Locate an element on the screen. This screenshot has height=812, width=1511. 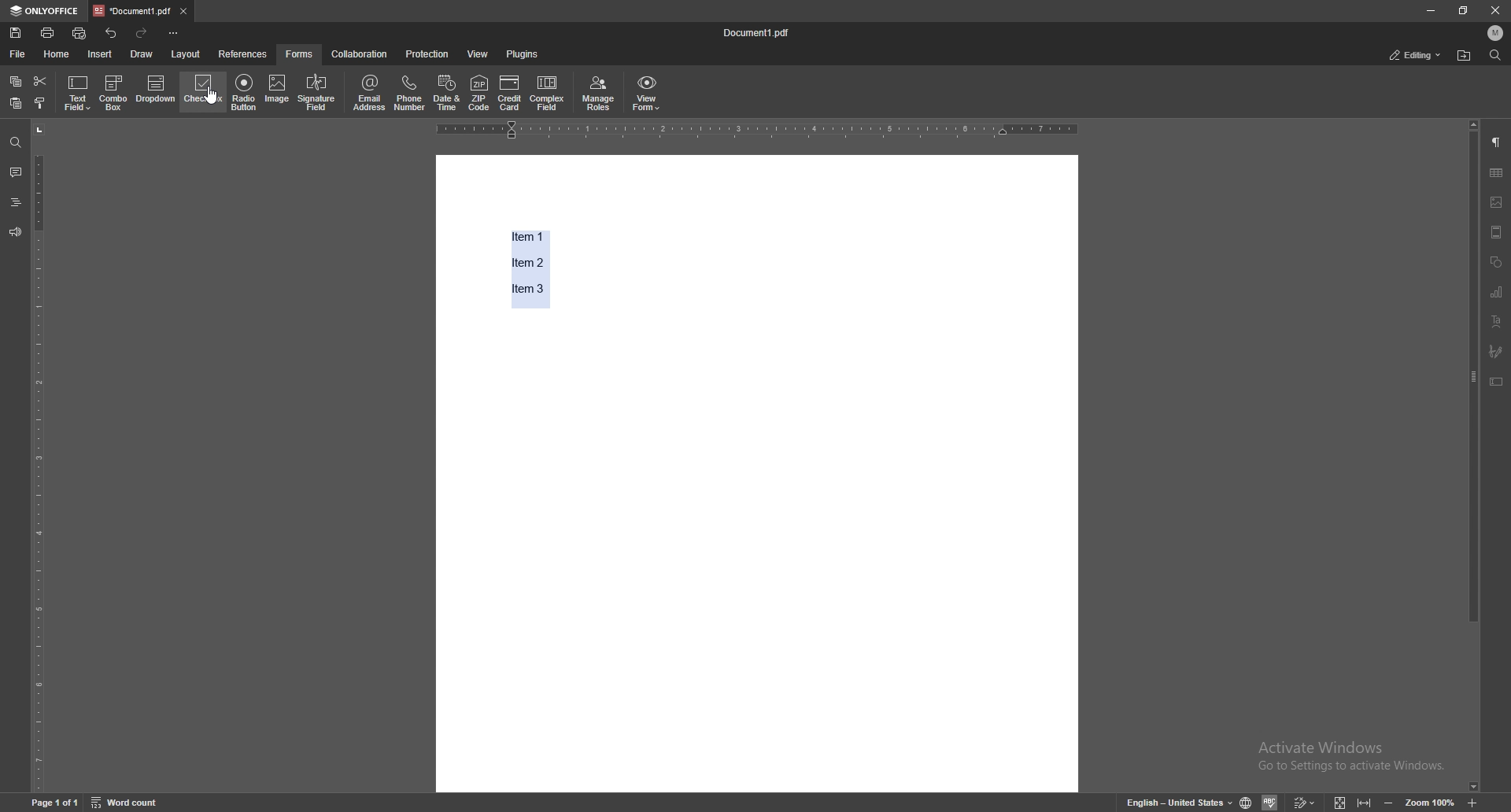
vertical scale is located at coordinates (40, 456).